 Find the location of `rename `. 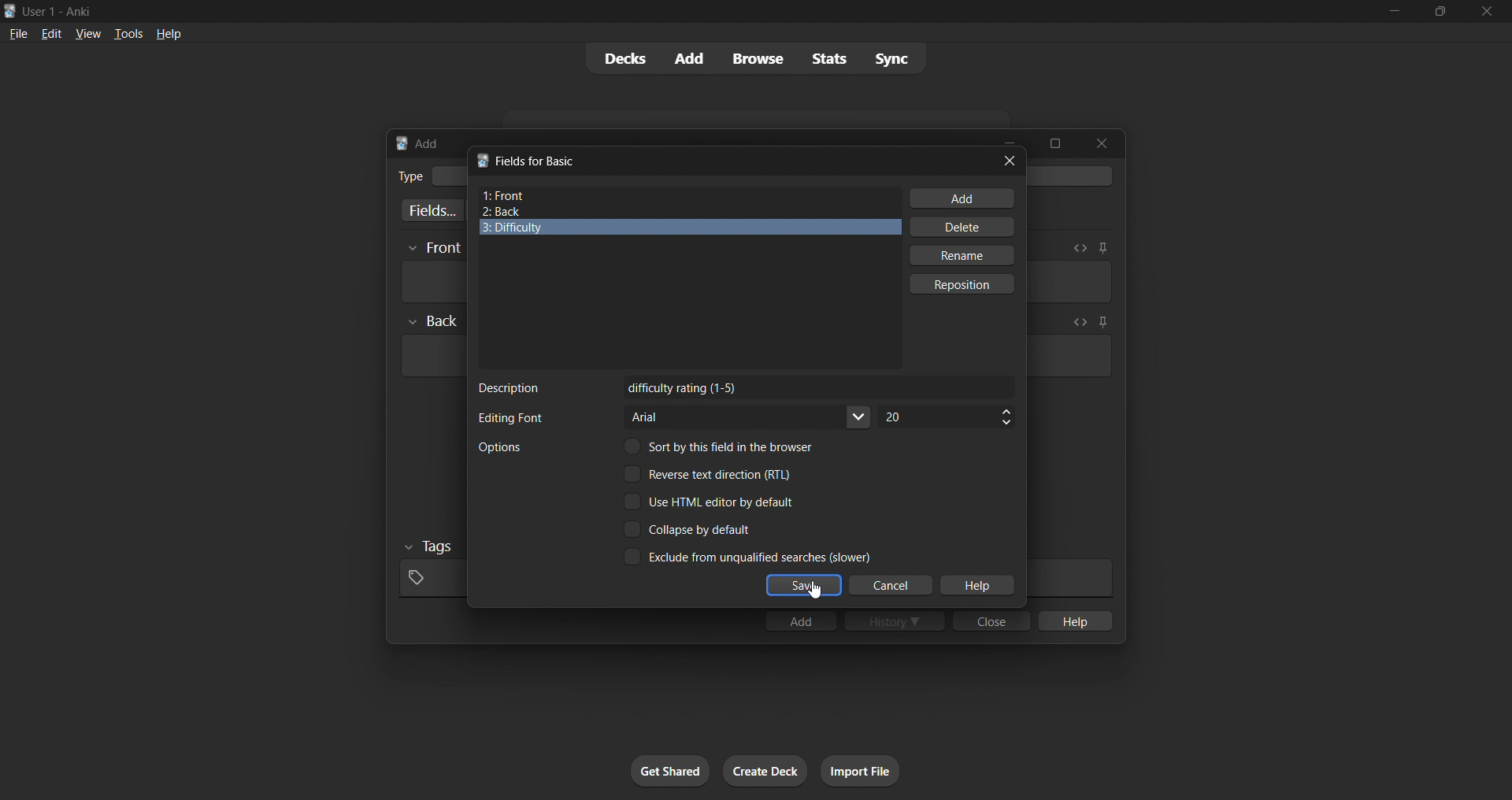

rename  is located at coordinates (961, 255).